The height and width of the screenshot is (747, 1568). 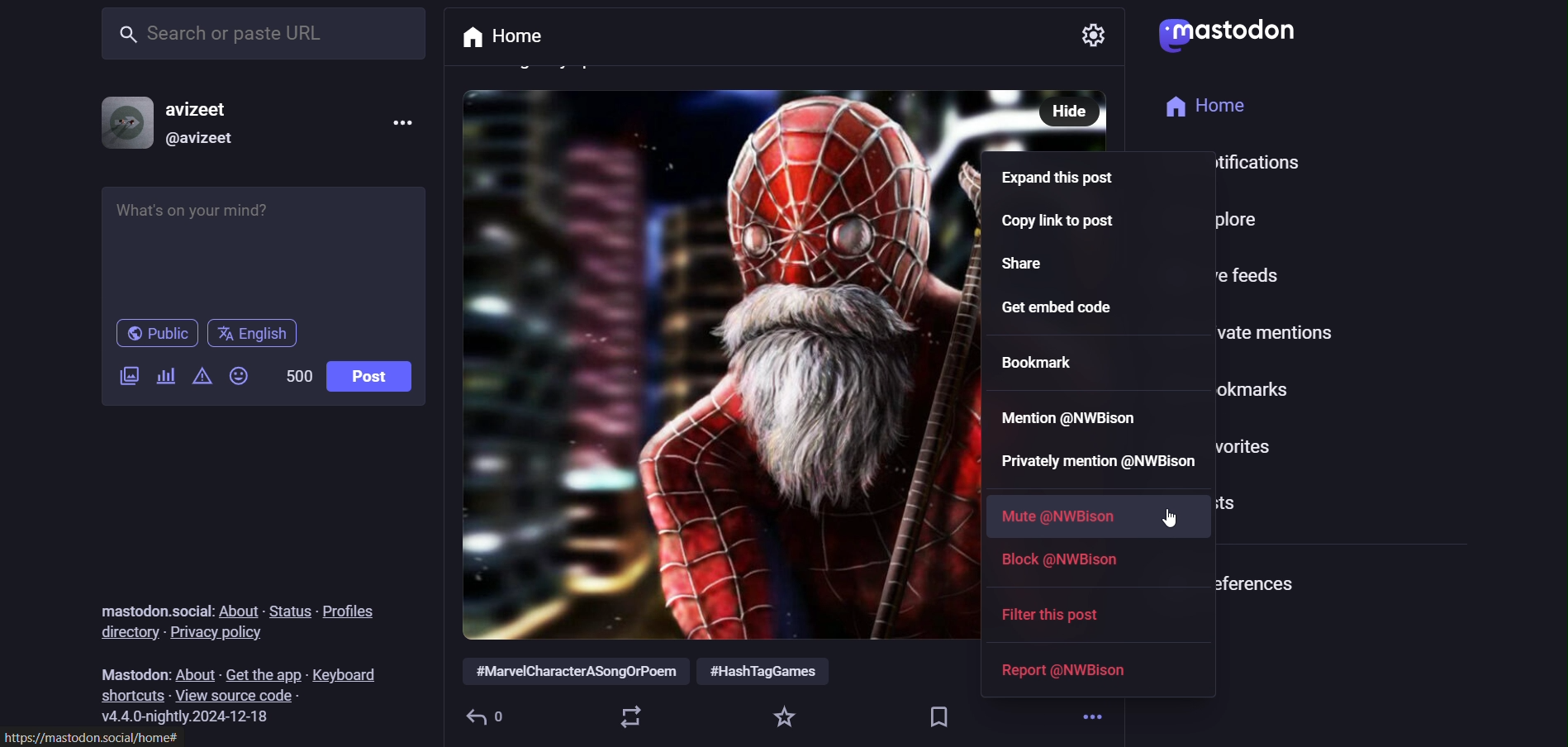 I want to click on https://mastodon.social/home, so click(x=91, y=736).